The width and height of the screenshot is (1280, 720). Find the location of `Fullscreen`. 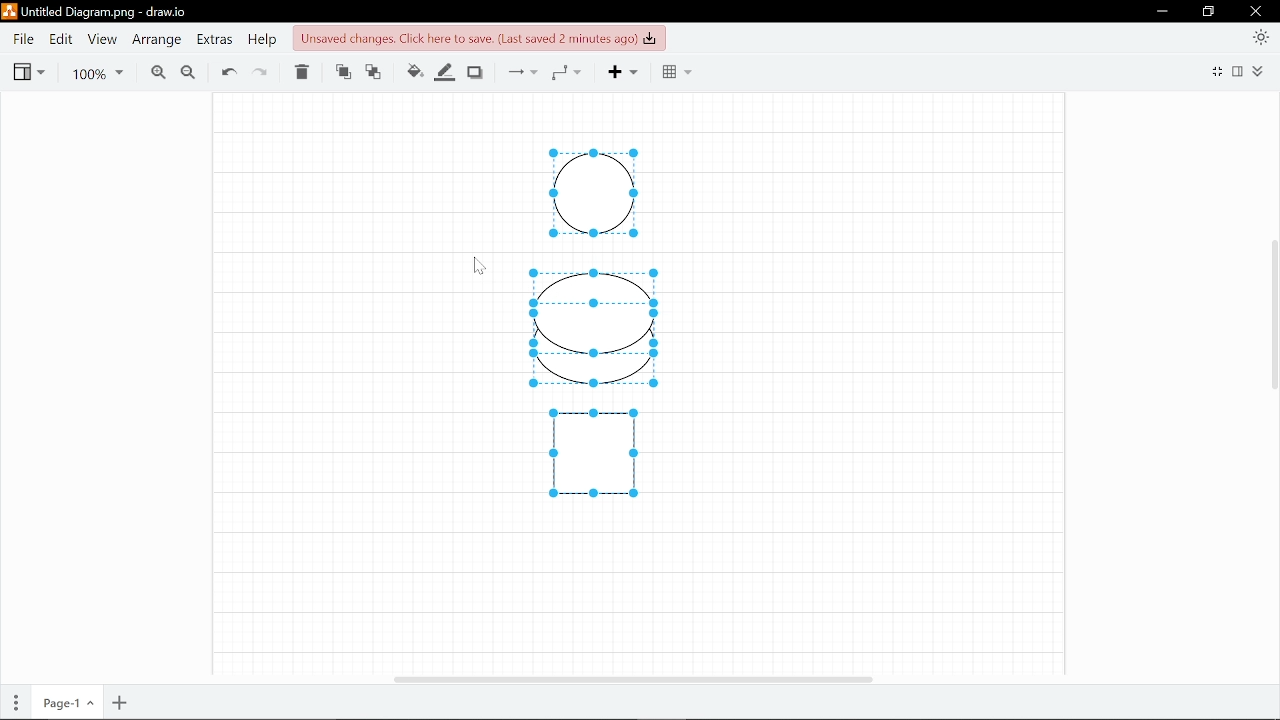

Fullscreen is located at coordinates (1215, 73).